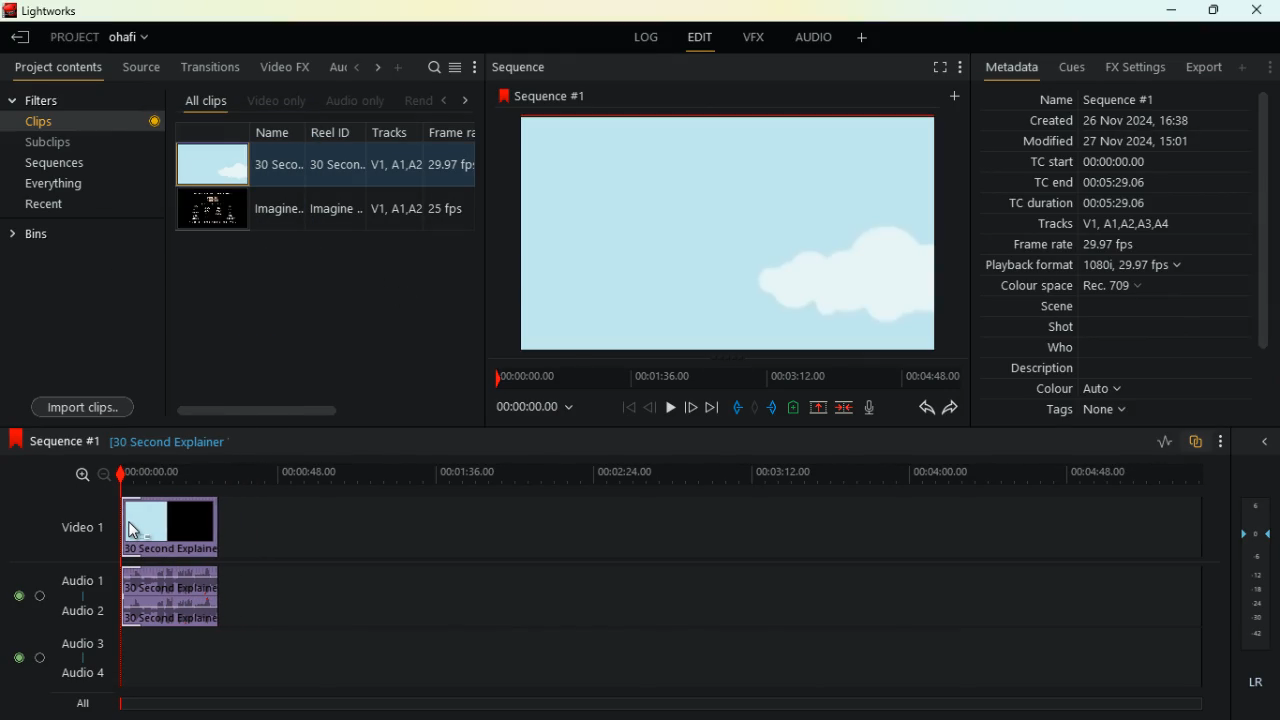 This screenshot has height=720, width=1280. Describe the element at coordinates (83, 674) in the screenshot. I see `audio 4` at that location.